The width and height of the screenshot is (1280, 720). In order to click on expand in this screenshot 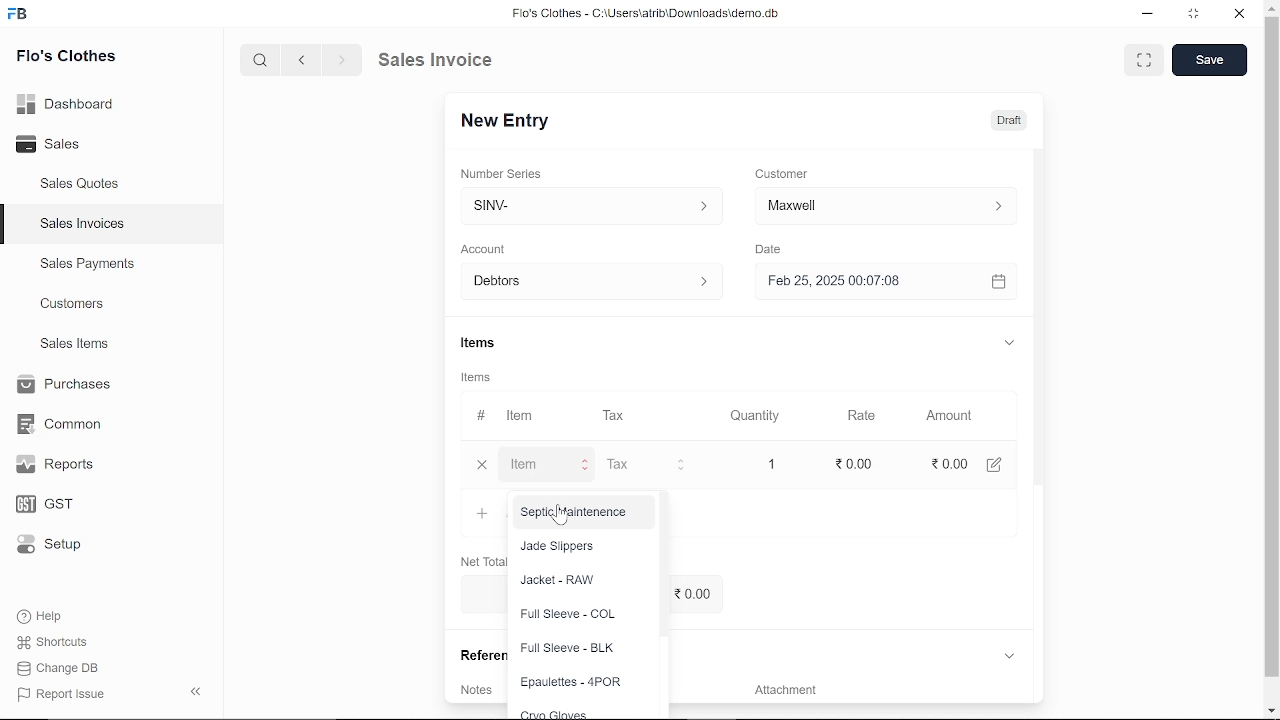, I will do `click(1142, 61)`.